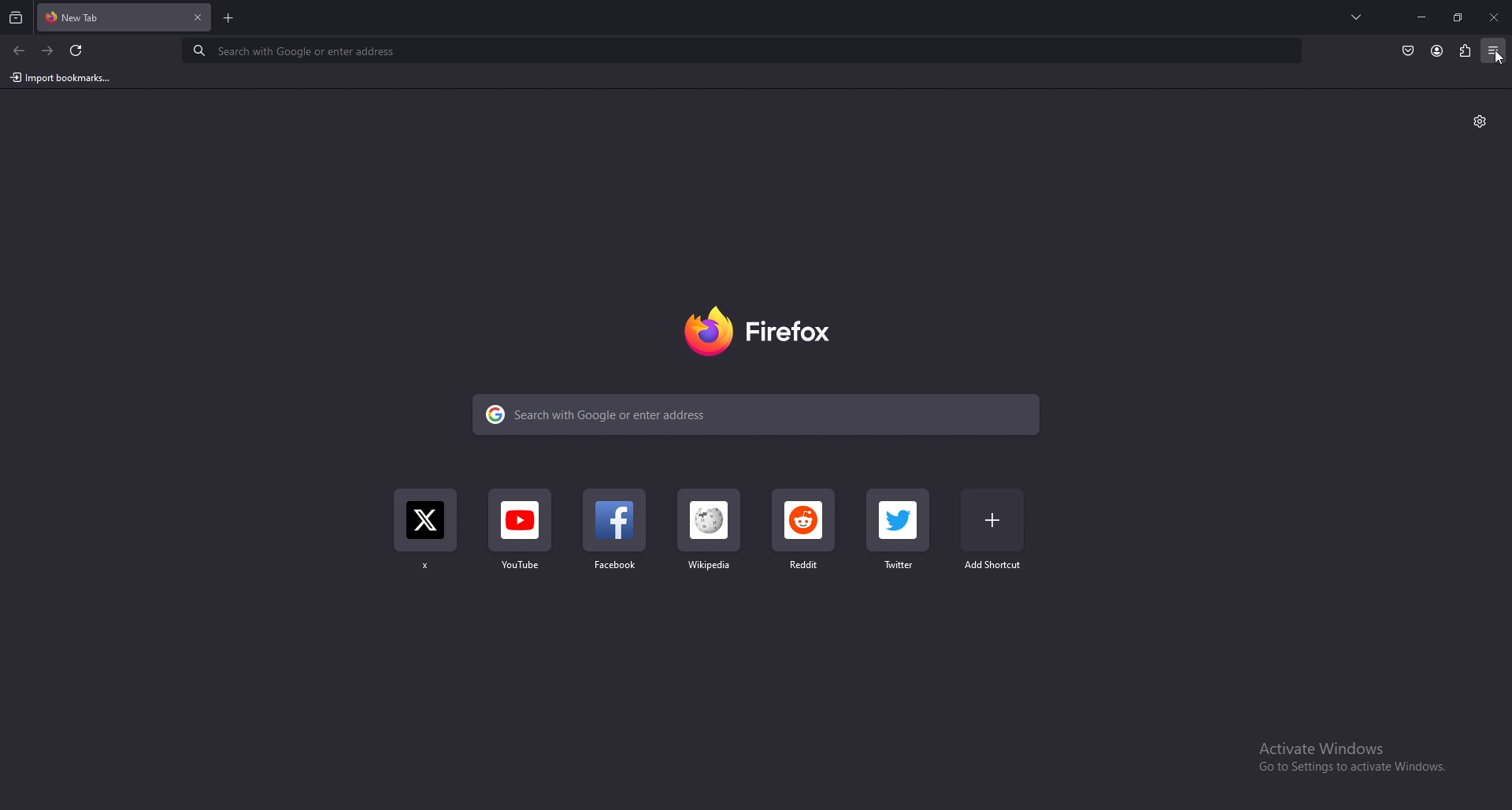  Describe the element at coordinates (1436, 50) in the screenshot. I see `account` at that location.